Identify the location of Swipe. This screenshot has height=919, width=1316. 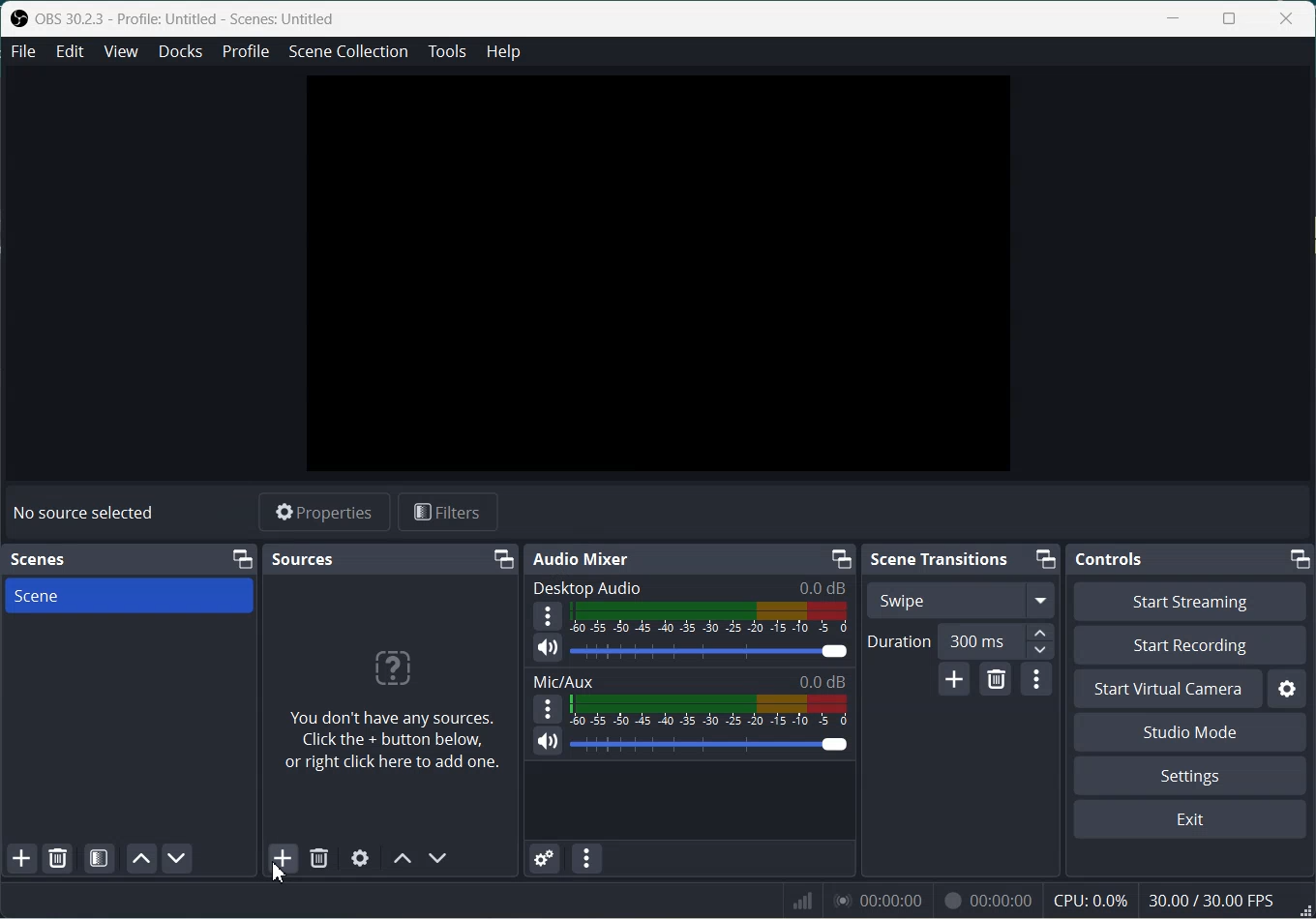
(960, 600).